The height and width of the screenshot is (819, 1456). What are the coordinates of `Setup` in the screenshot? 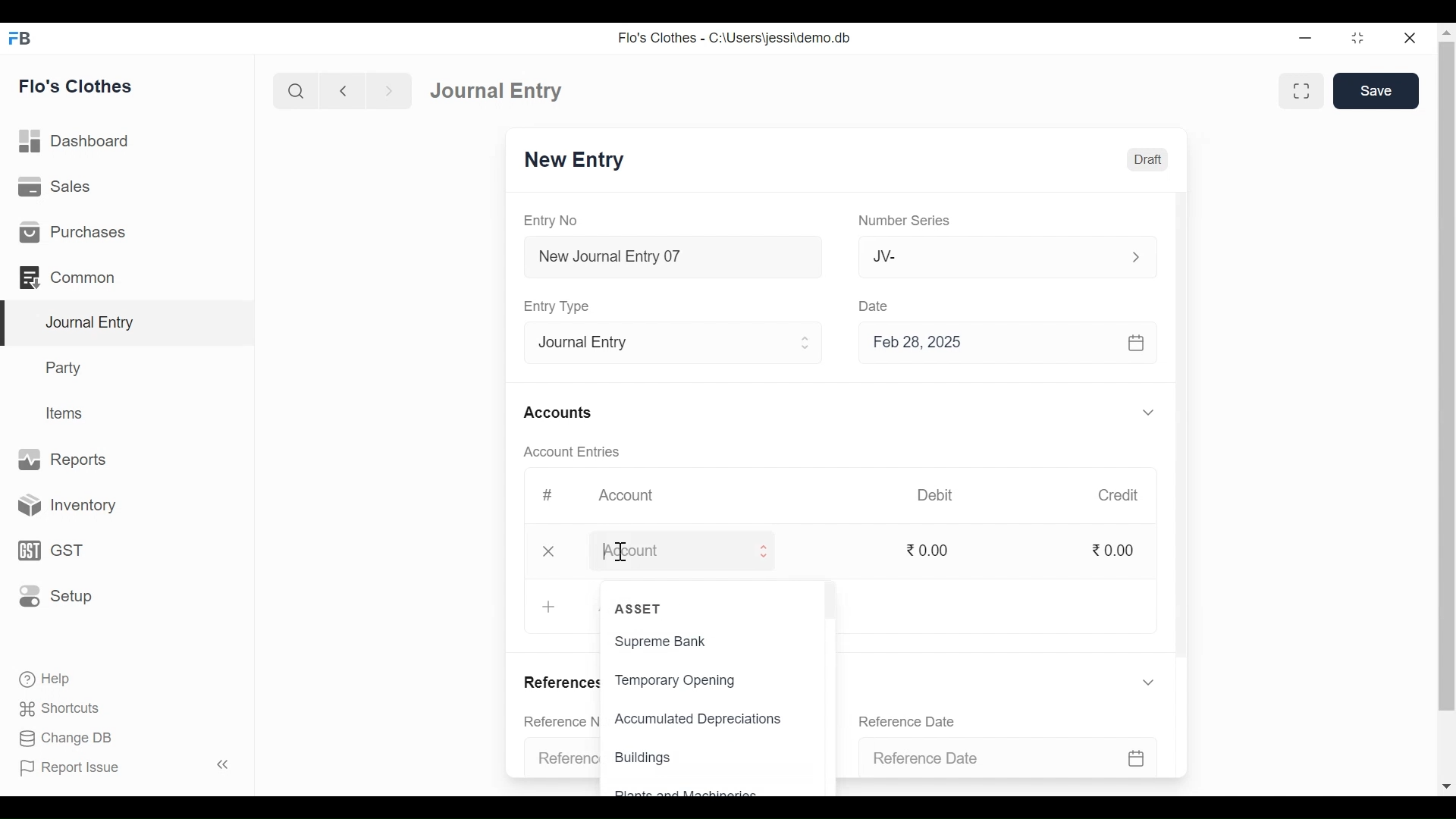 It's located at (55, 595).